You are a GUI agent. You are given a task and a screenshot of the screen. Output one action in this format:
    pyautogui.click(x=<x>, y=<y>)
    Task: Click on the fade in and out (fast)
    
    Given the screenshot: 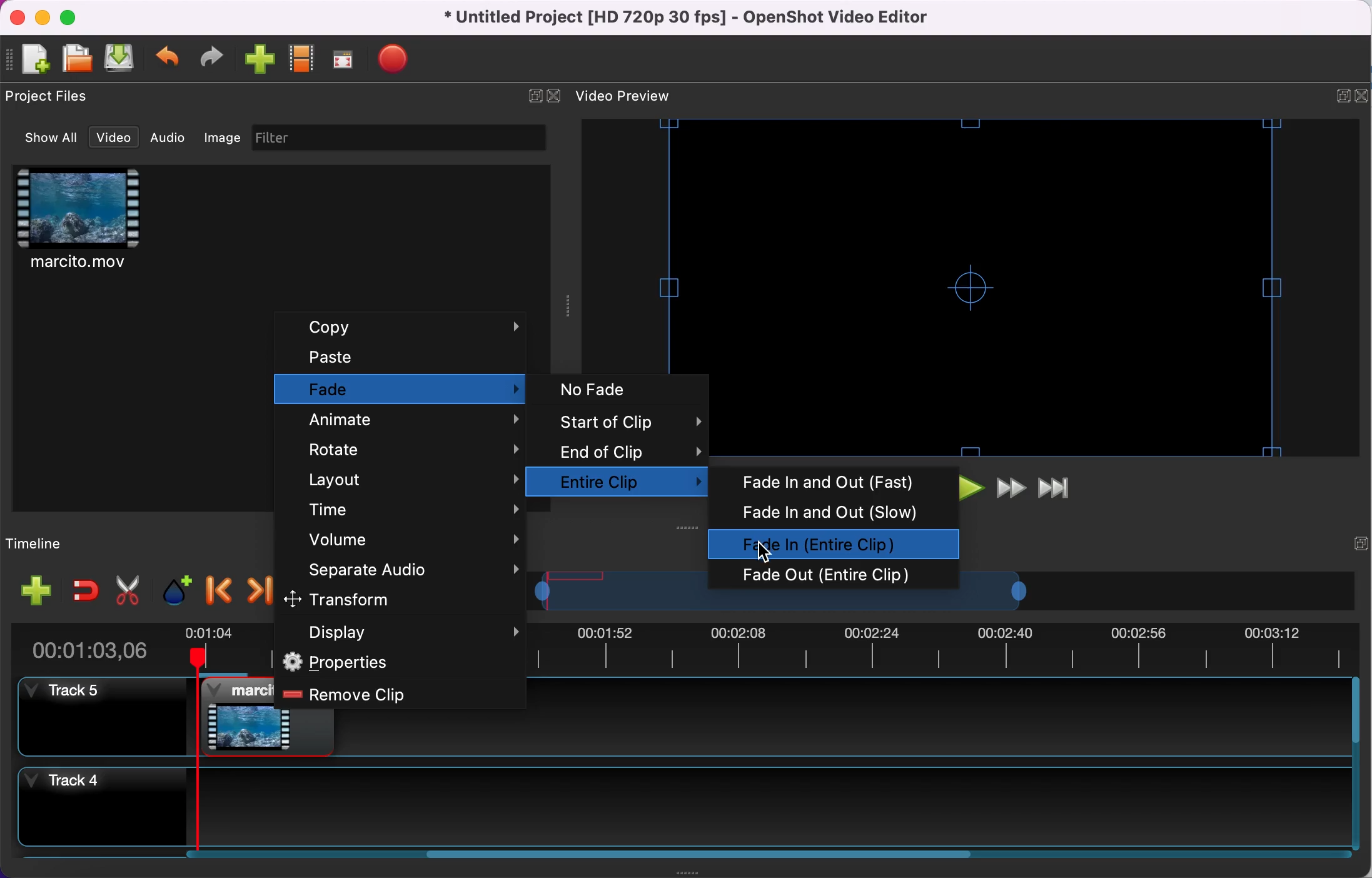 What is the action you would take?
    pyautogui.click(x=838, y=480)
    